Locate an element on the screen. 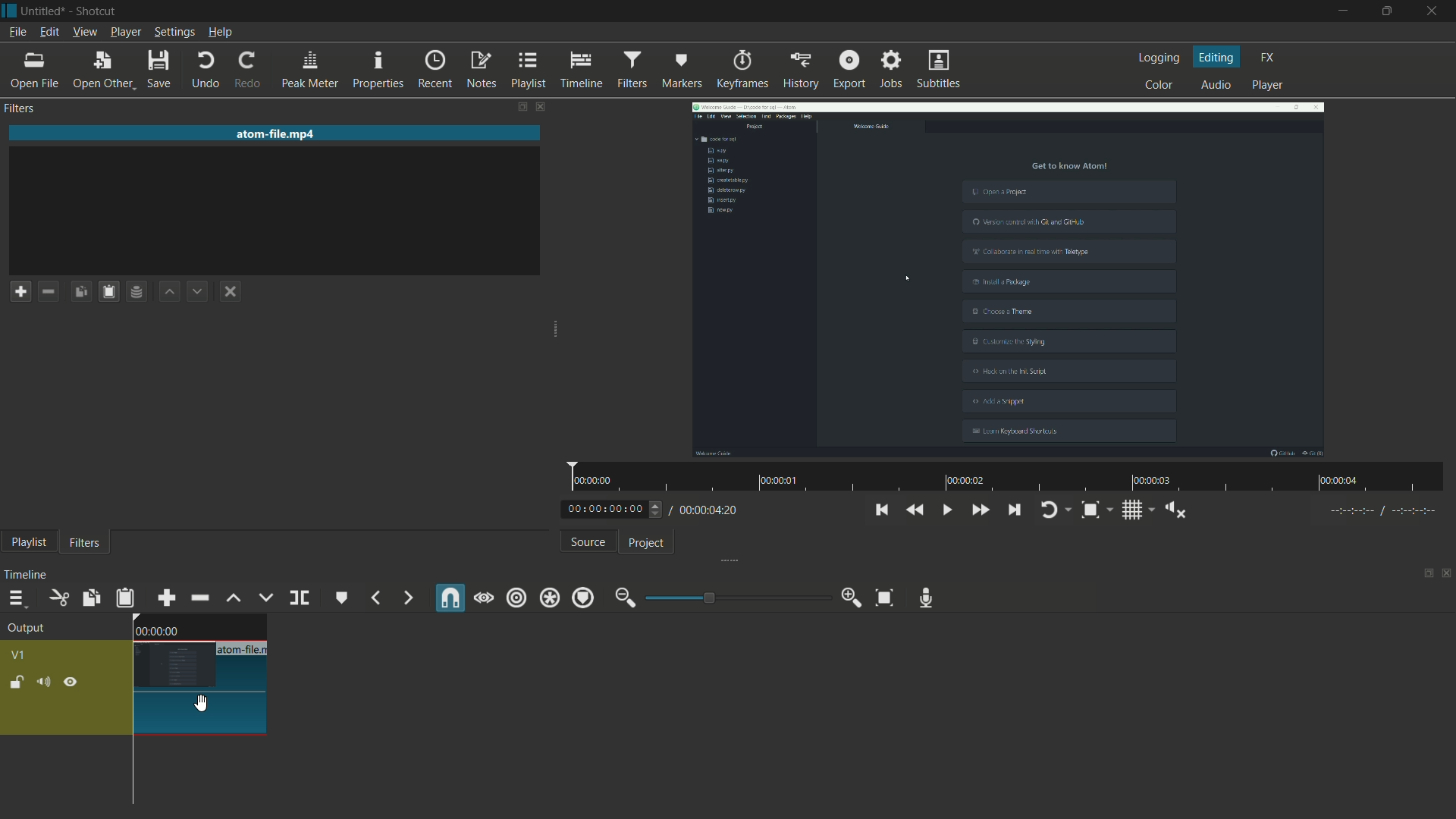  audio is located at coordinates (1217, 86).